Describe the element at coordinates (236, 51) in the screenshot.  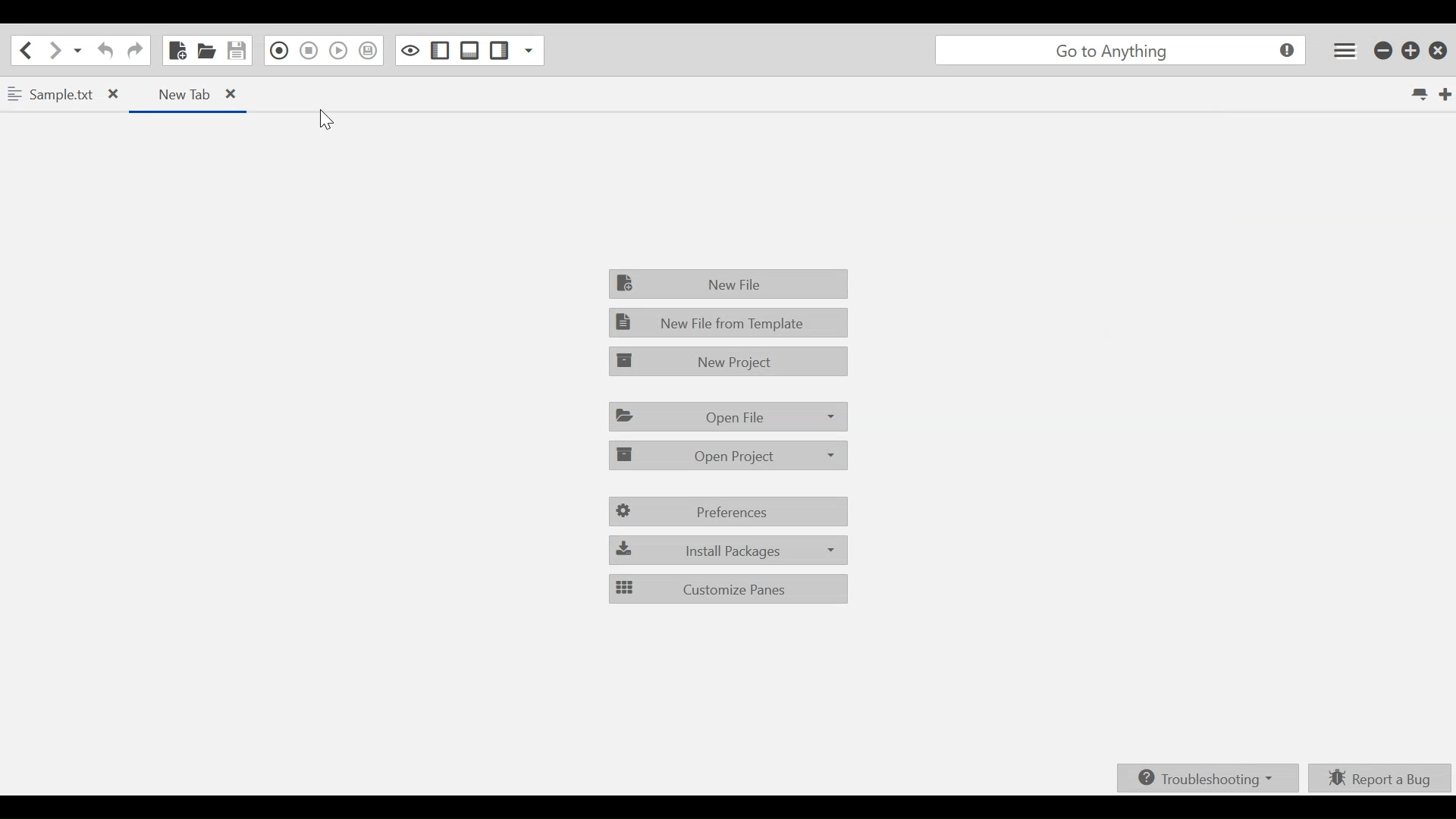
I see `Save File` at that location.